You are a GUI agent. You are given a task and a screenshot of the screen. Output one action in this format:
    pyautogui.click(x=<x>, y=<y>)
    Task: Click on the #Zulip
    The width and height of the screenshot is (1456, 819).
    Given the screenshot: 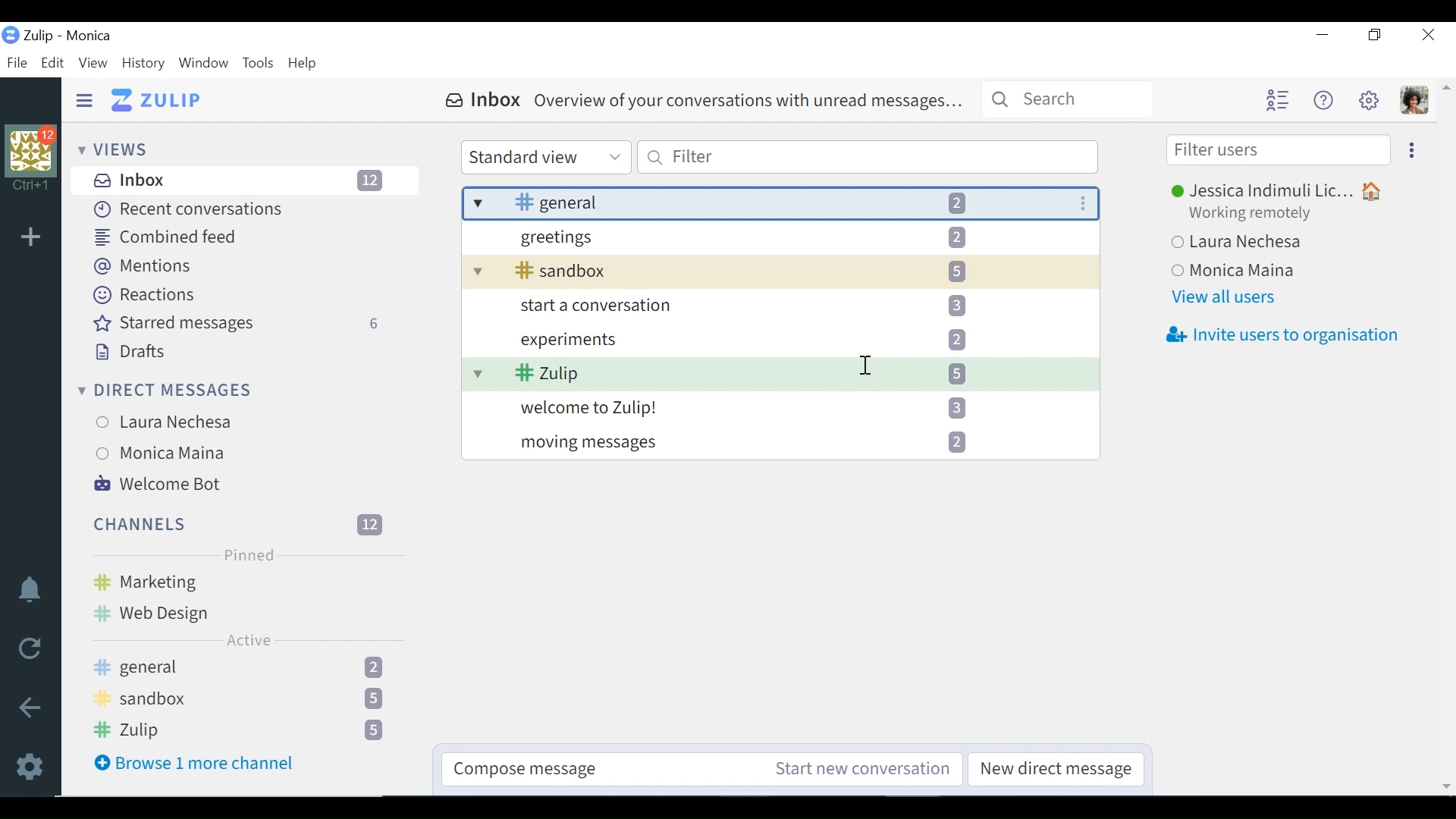 What is the action you would take?
    pyautogui.click(x=237, y=730)
    